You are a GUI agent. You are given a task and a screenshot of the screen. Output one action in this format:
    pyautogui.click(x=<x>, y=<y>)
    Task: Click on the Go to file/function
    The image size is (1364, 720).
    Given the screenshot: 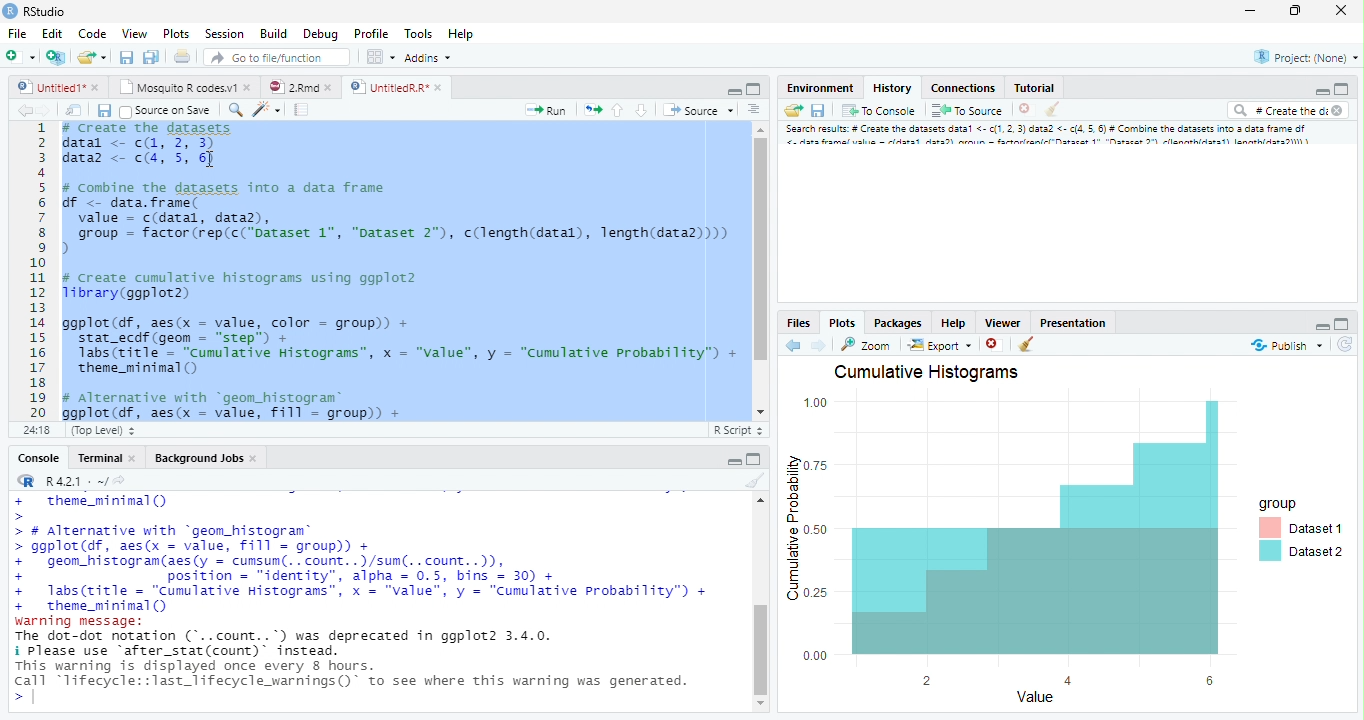 What is the action you would take?
    pyautogui.click(x=275, y=58)
    